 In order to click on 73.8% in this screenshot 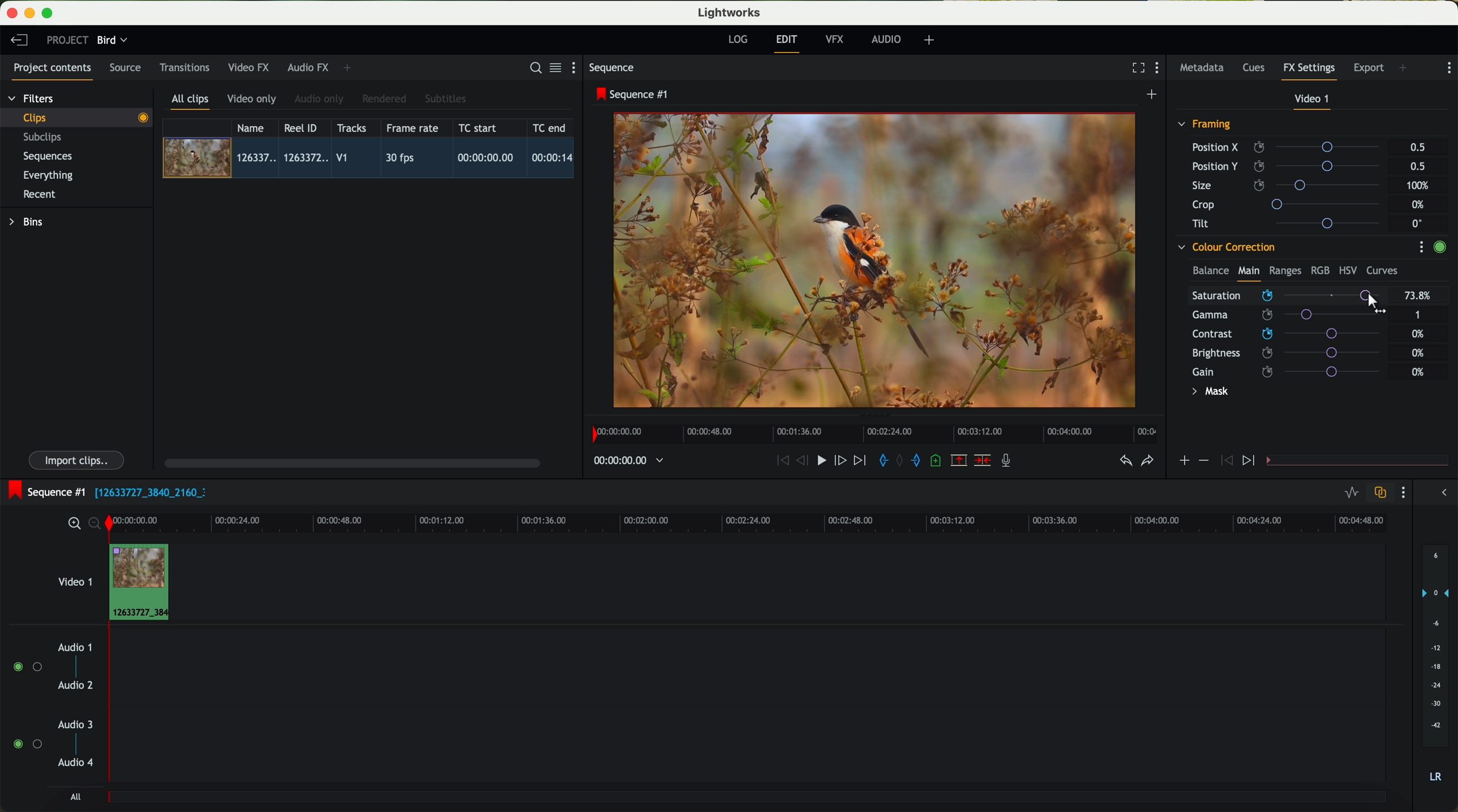, I will do `click(1418, 296)`.